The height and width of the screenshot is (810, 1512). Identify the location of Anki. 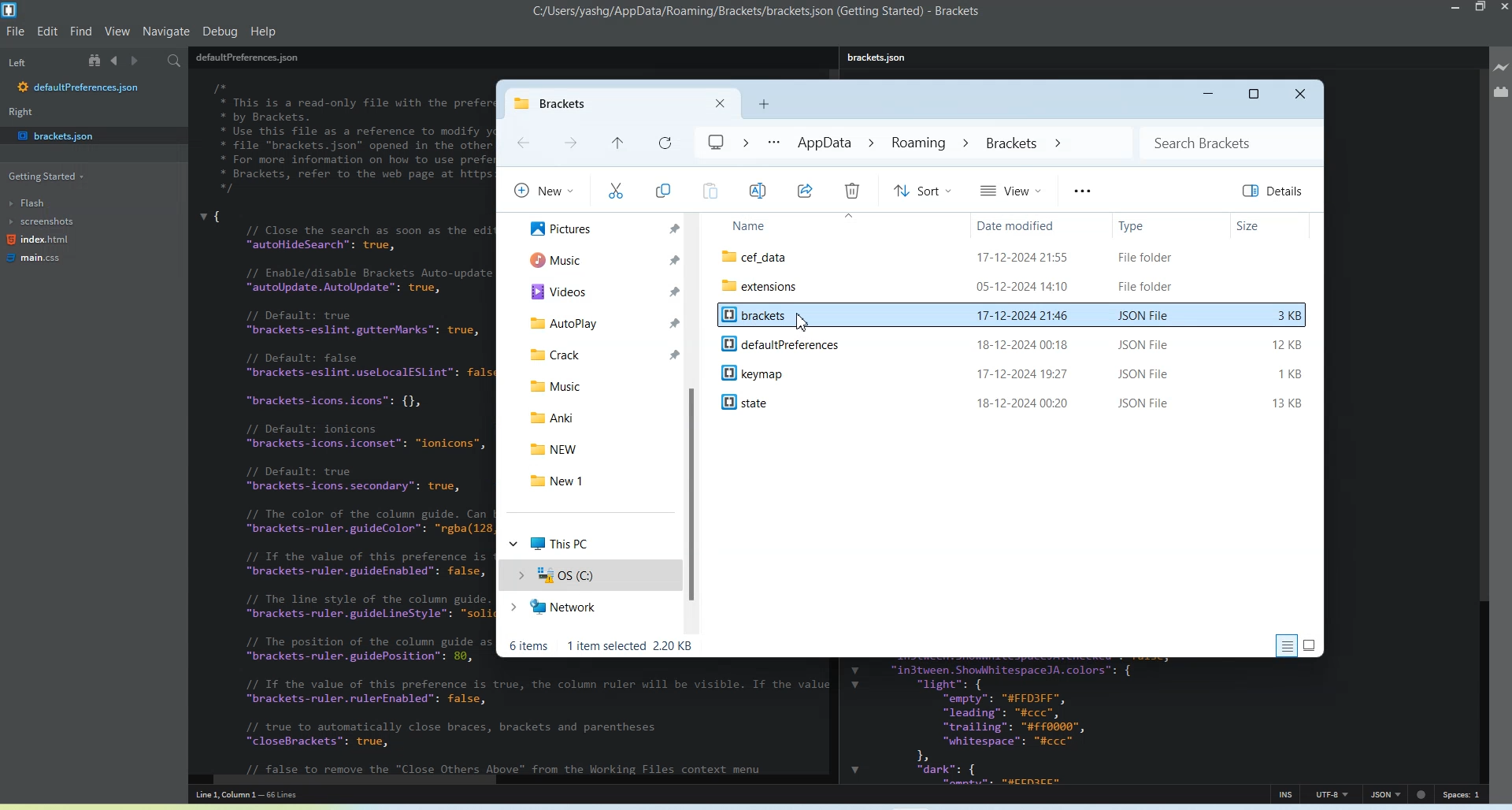
(597, 418).